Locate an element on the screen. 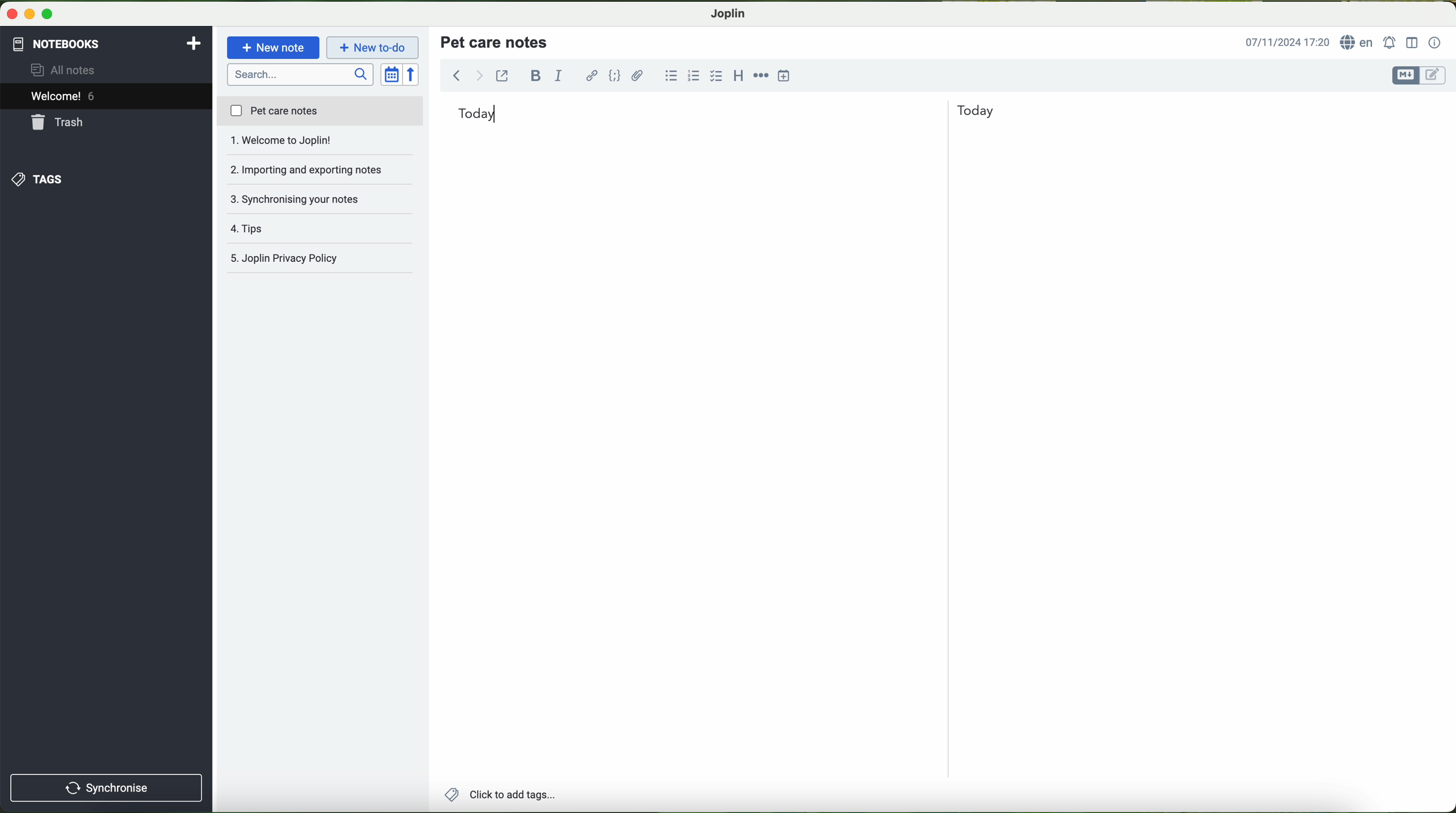 This screenshot has height=813, width=1456. add is located at coordinates (194, 42).